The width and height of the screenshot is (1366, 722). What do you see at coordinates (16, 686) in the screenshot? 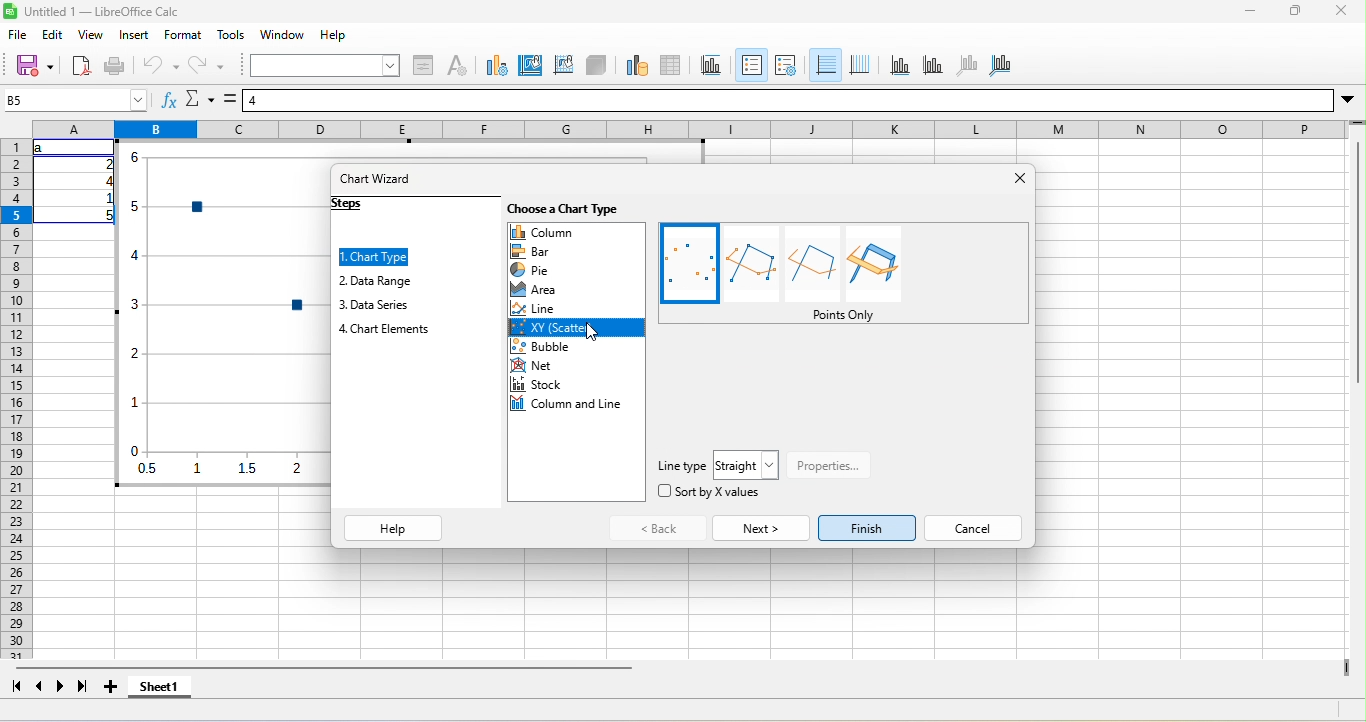
I see `first sheet` at bounding box center [16, 686].